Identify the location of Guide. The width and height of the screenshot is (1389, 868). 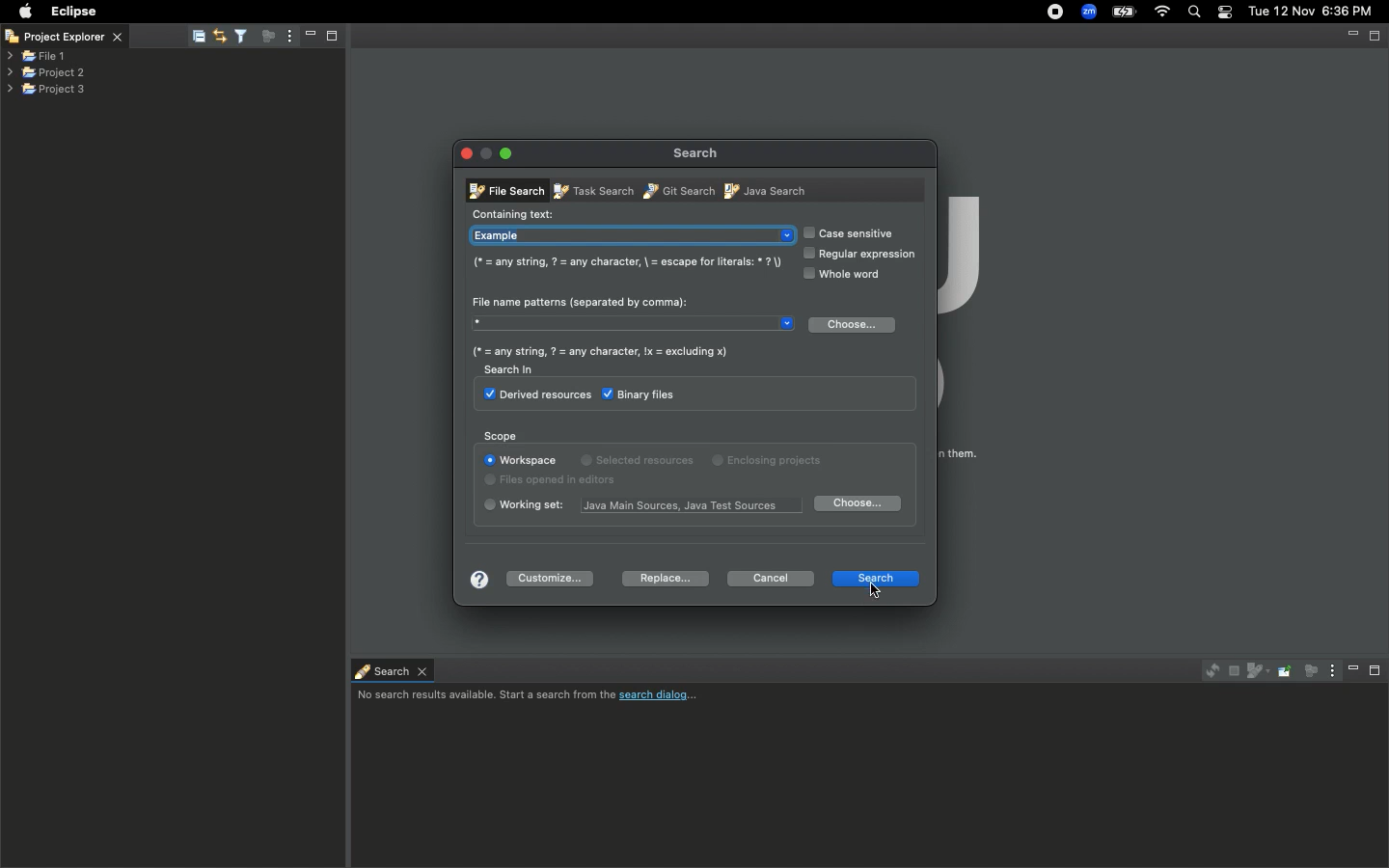
(607, 351).